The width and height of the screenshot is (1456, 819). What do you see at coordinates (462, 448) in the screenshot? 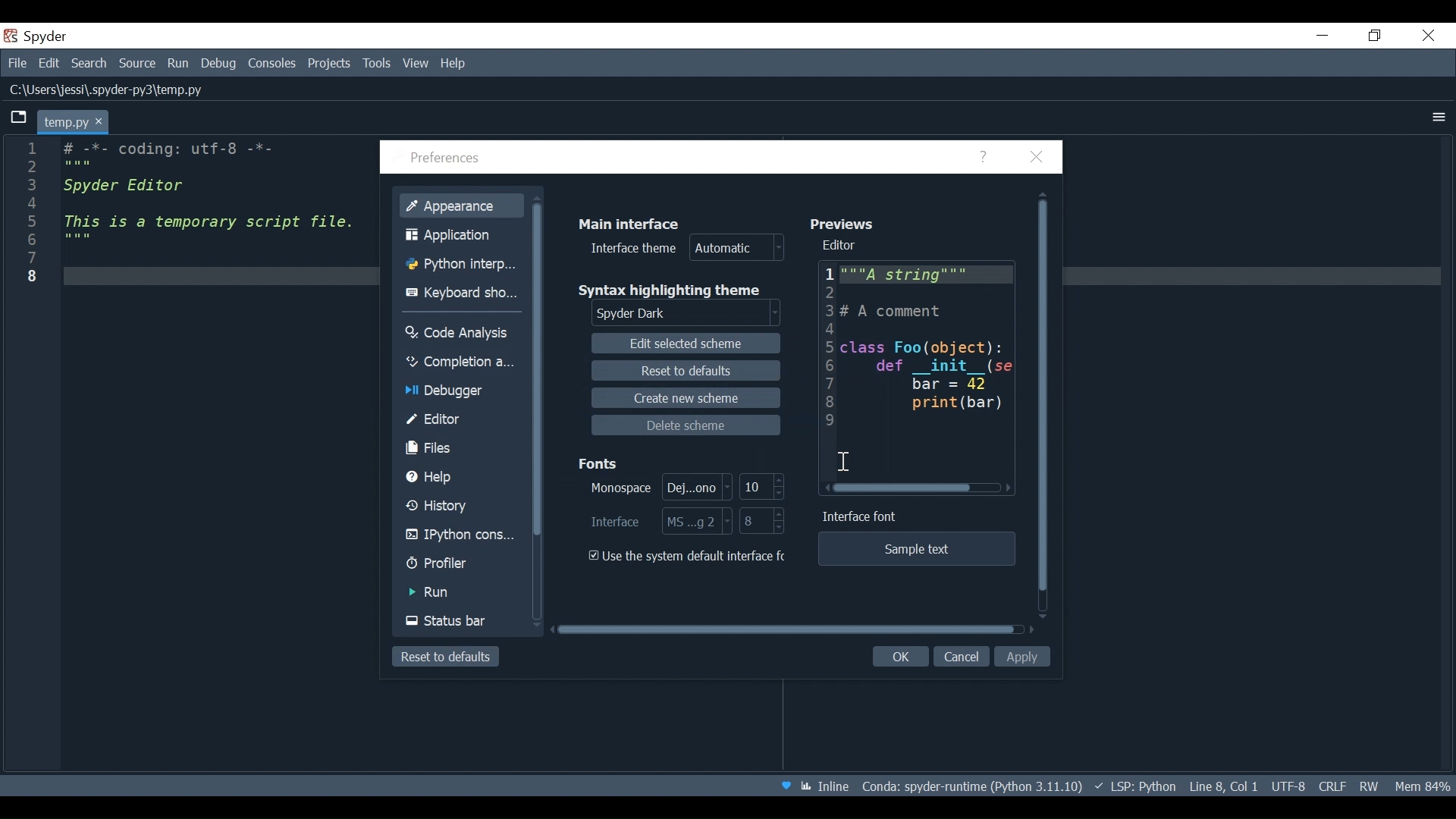
I see `Files` at bounding box center [462, 448].